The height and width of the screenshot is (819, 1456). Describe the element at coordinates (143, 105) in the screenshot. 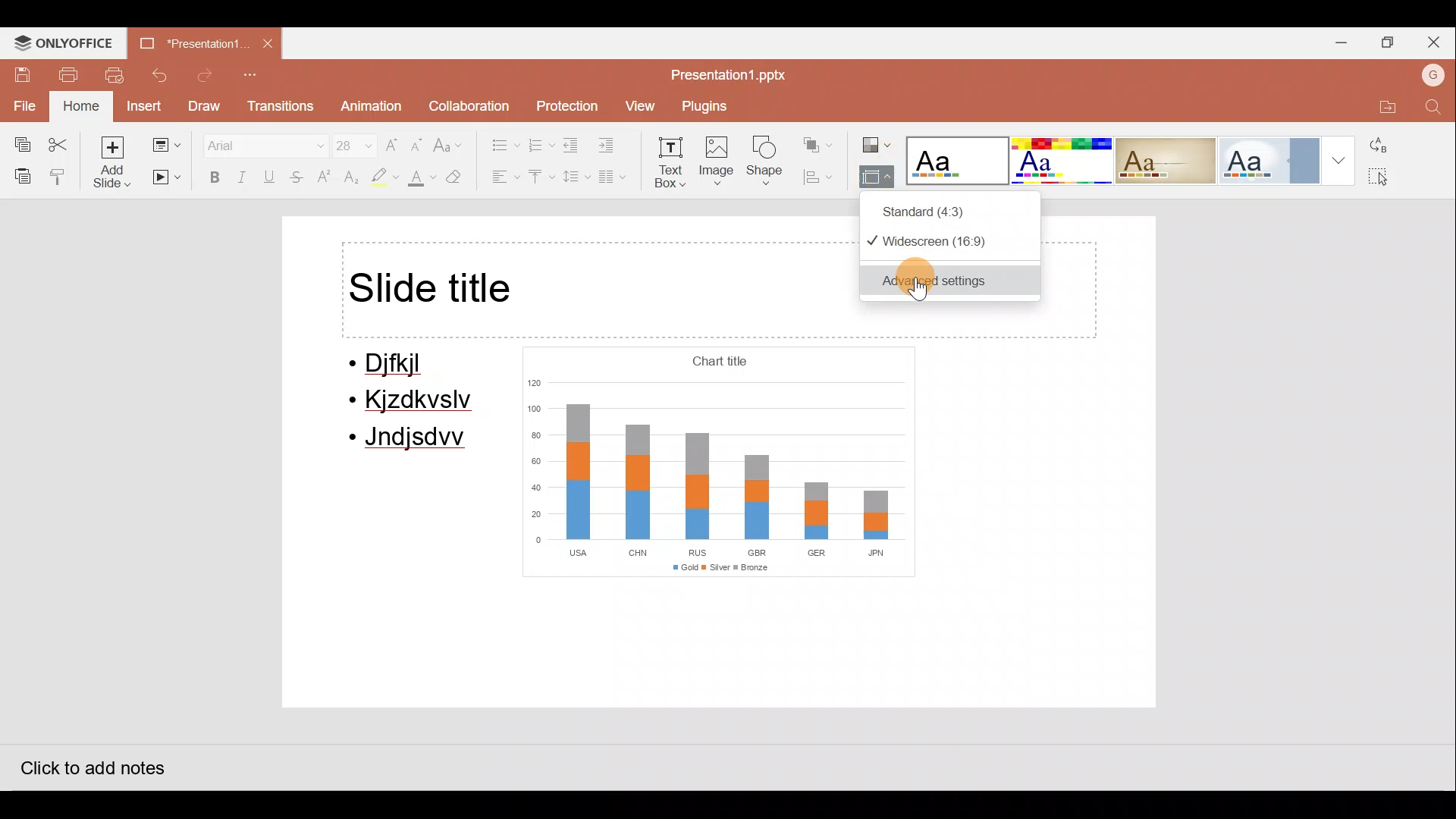

I see `Insert` at that location.